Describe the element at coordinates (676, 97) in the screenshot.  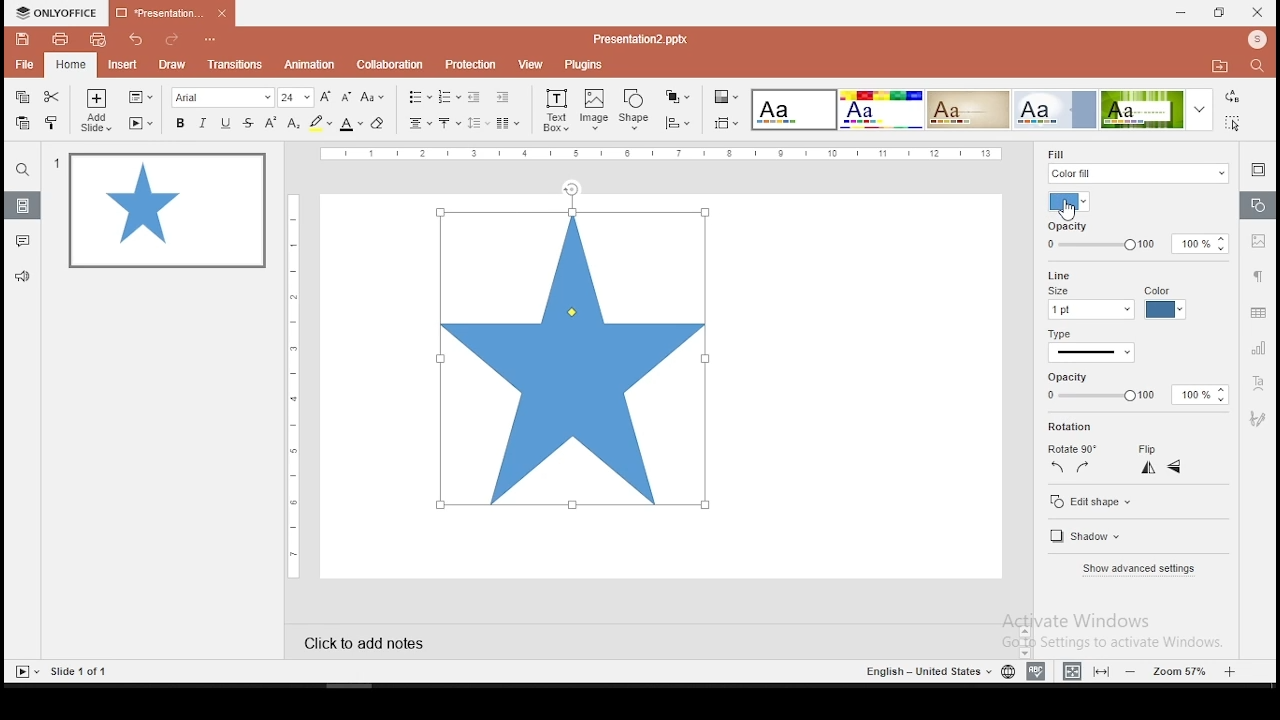
I see `arrange shapes` at that location.